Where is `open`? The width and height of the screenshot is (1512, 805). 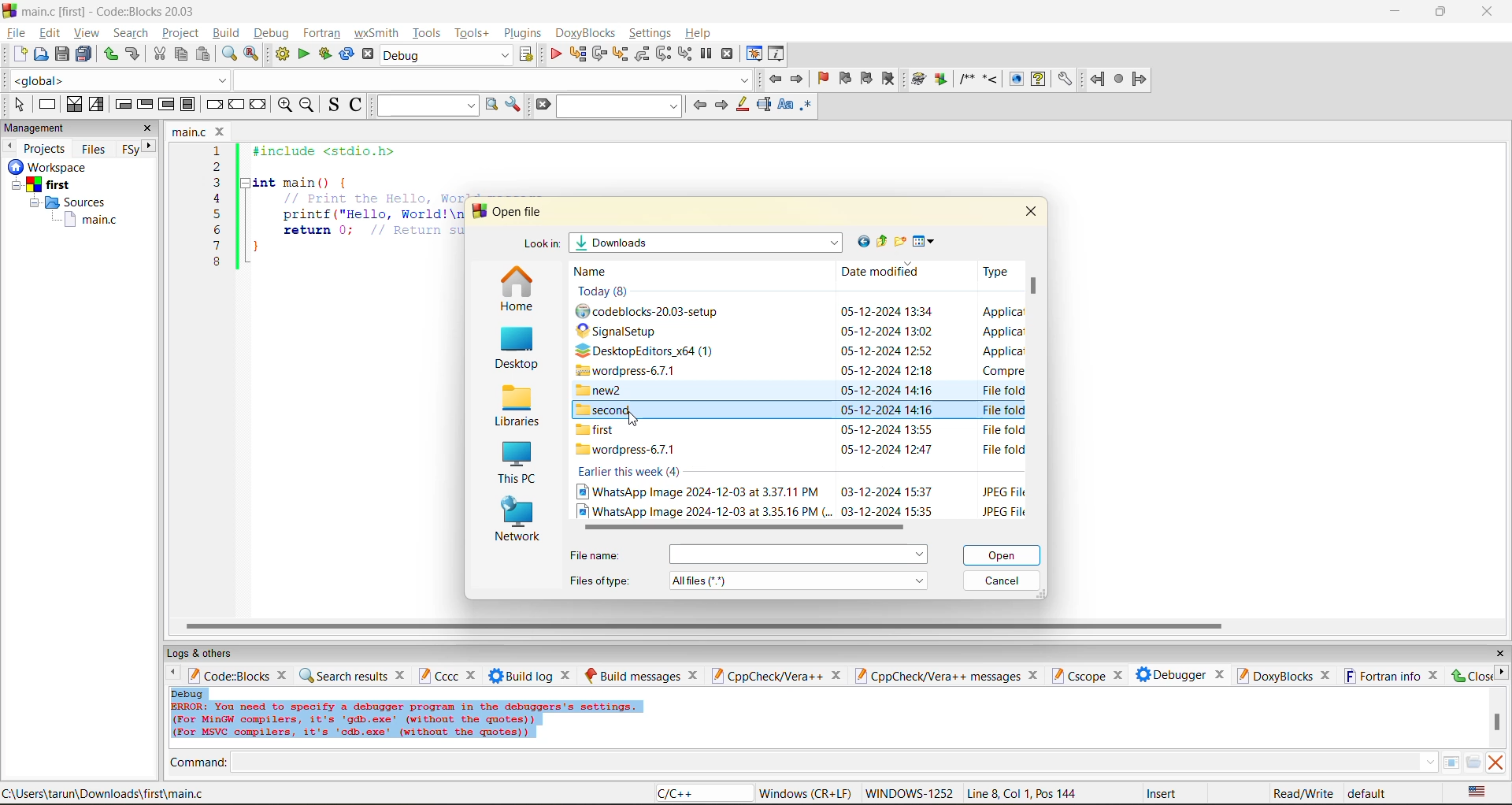 open is located at coordinates (42, 54).